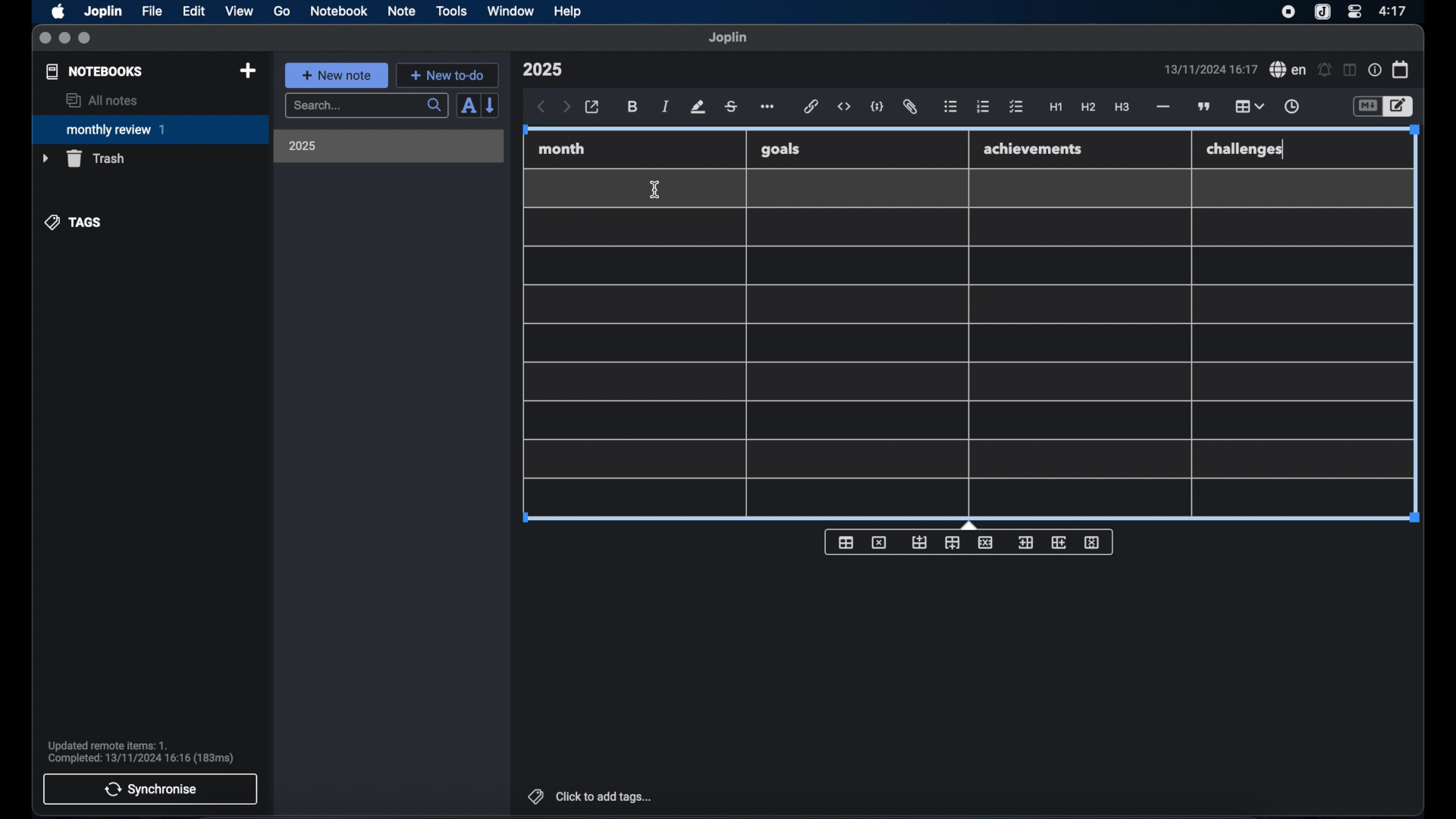 This screenshot has width=1456, height=819. I want to click on tools, so click(451, 11).